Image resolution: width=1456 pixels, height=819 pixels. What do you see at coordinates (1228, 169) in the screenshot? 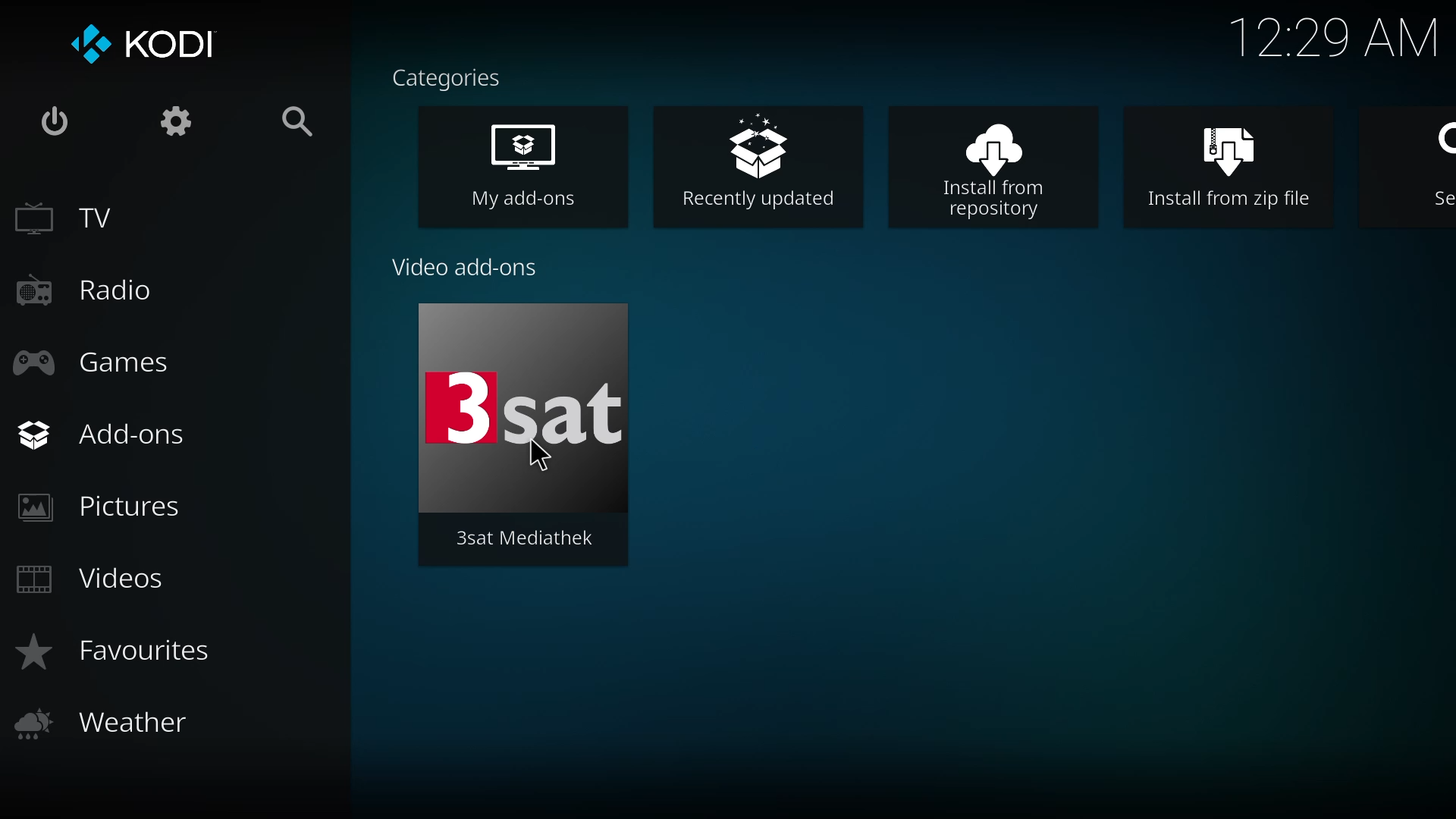
I see `install from zip` at bounding box center [1228, 169].